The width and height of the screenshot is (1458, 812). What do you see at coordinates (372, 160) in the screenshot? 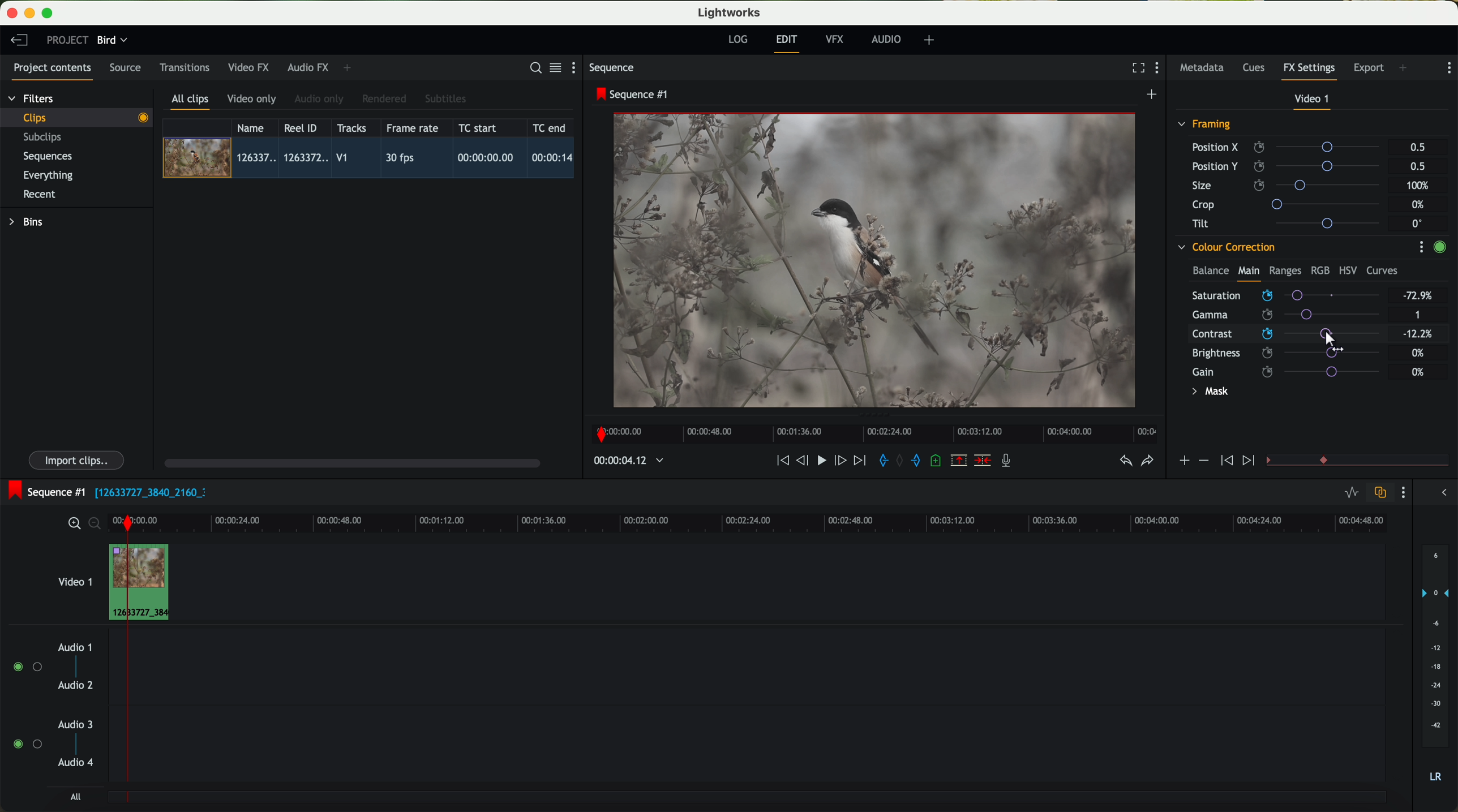
I see `click on video` at bounding box center [372, 160].